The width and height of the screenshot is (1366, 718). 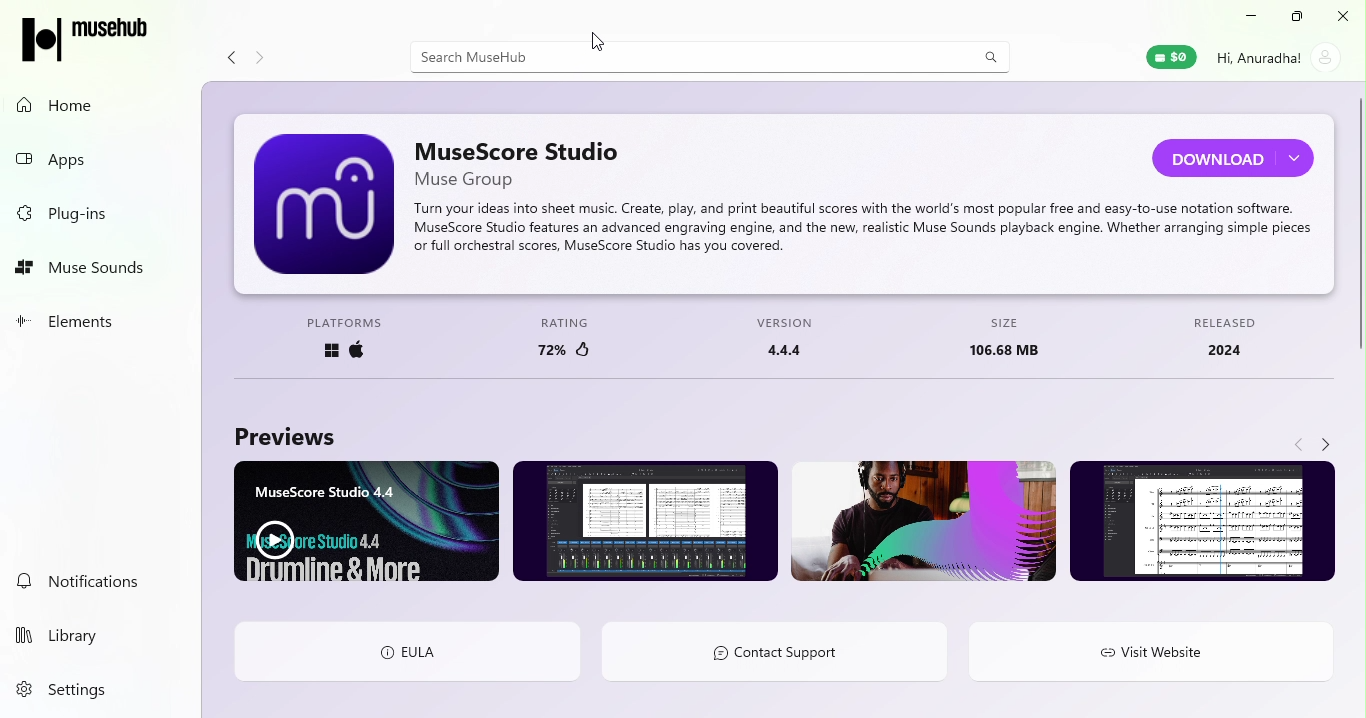 What do you see at coordinates (1332, 444) in the screenshot?
I see `Navigate forward` at bounding box center [1332, 444].